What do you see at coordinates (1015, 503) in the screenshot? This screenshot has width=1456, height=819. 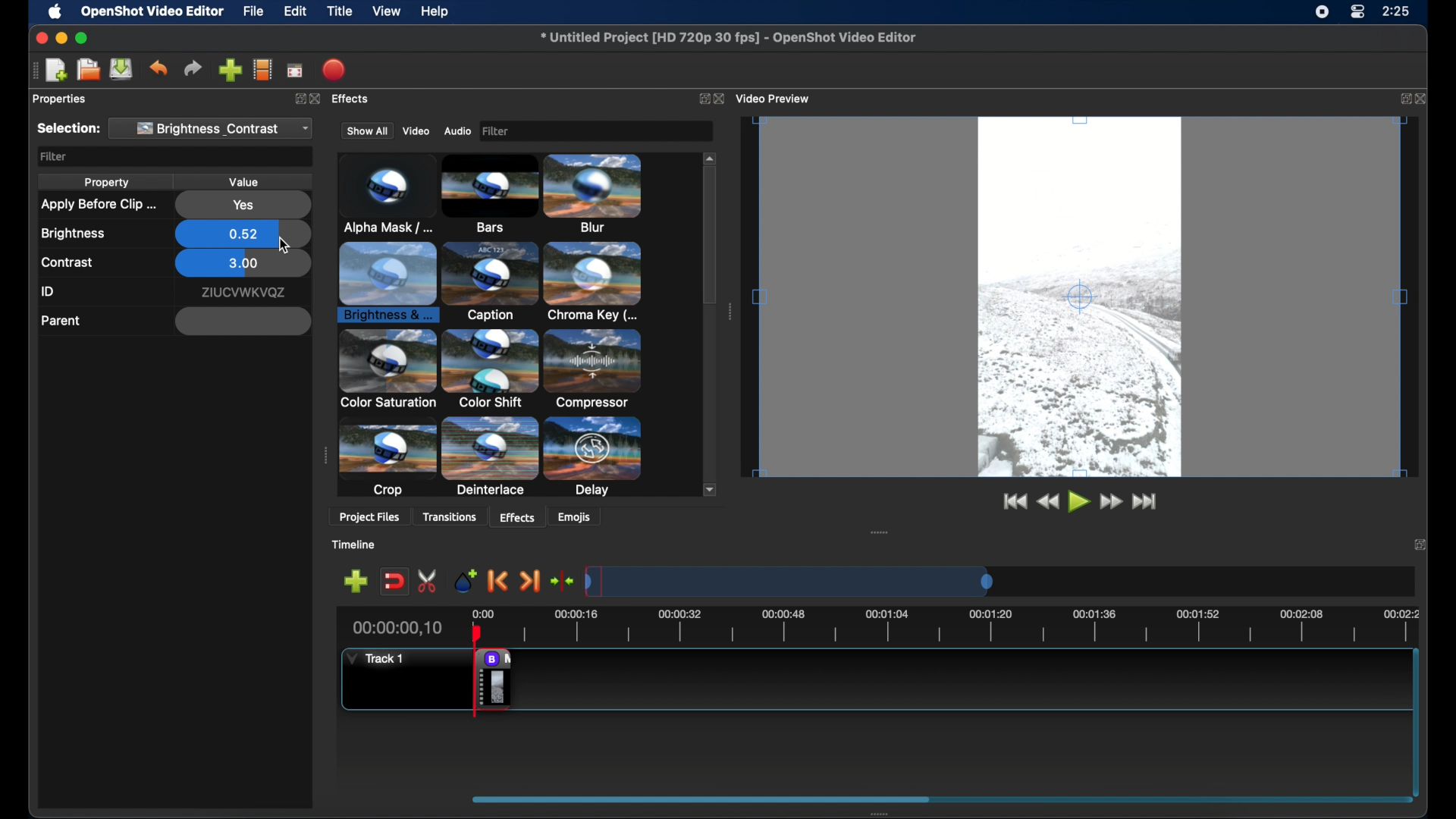 I see `jump to  start` at bounding box center [1015, 503].